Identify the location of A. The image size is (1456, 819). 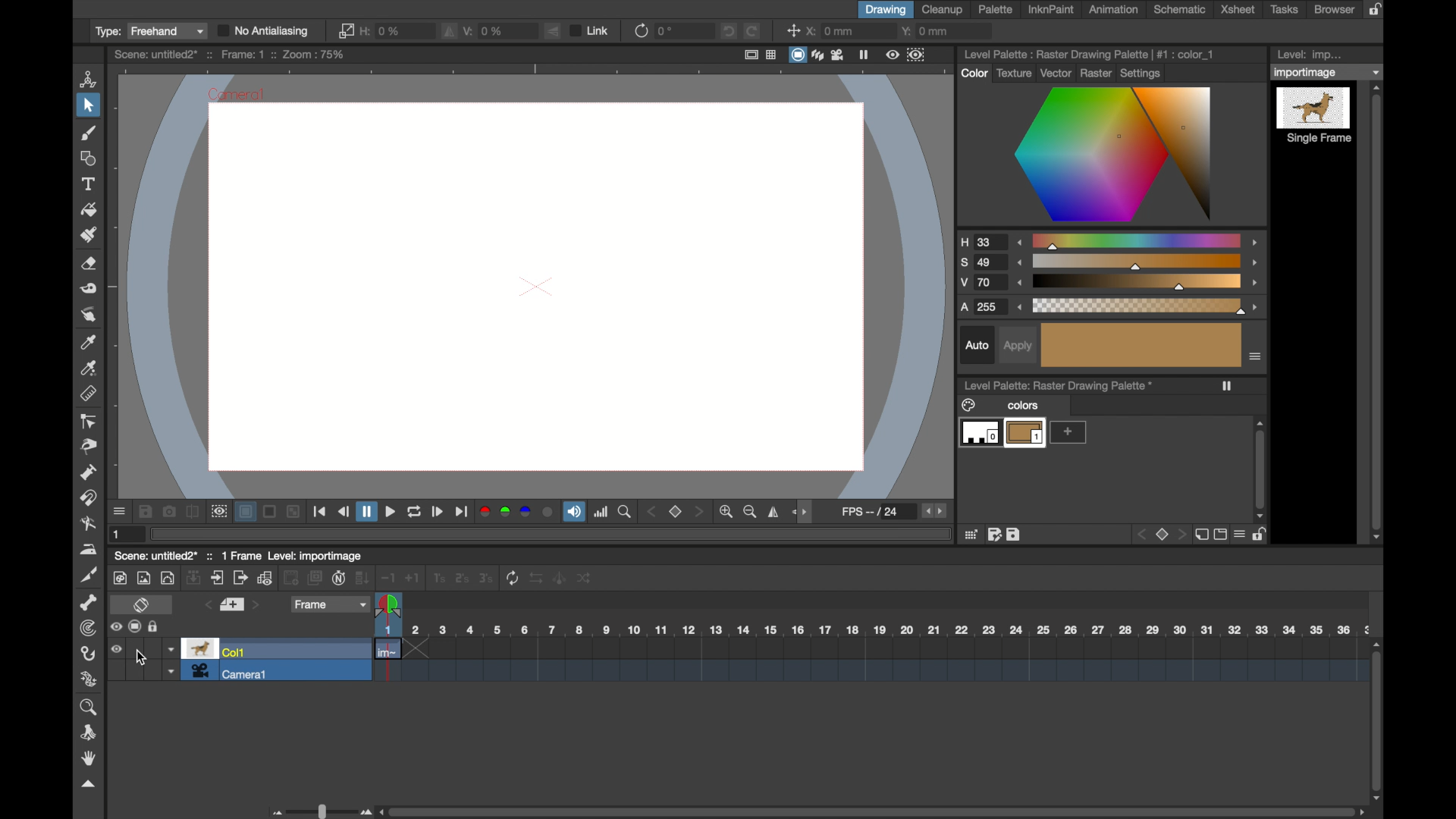
(984, 306).